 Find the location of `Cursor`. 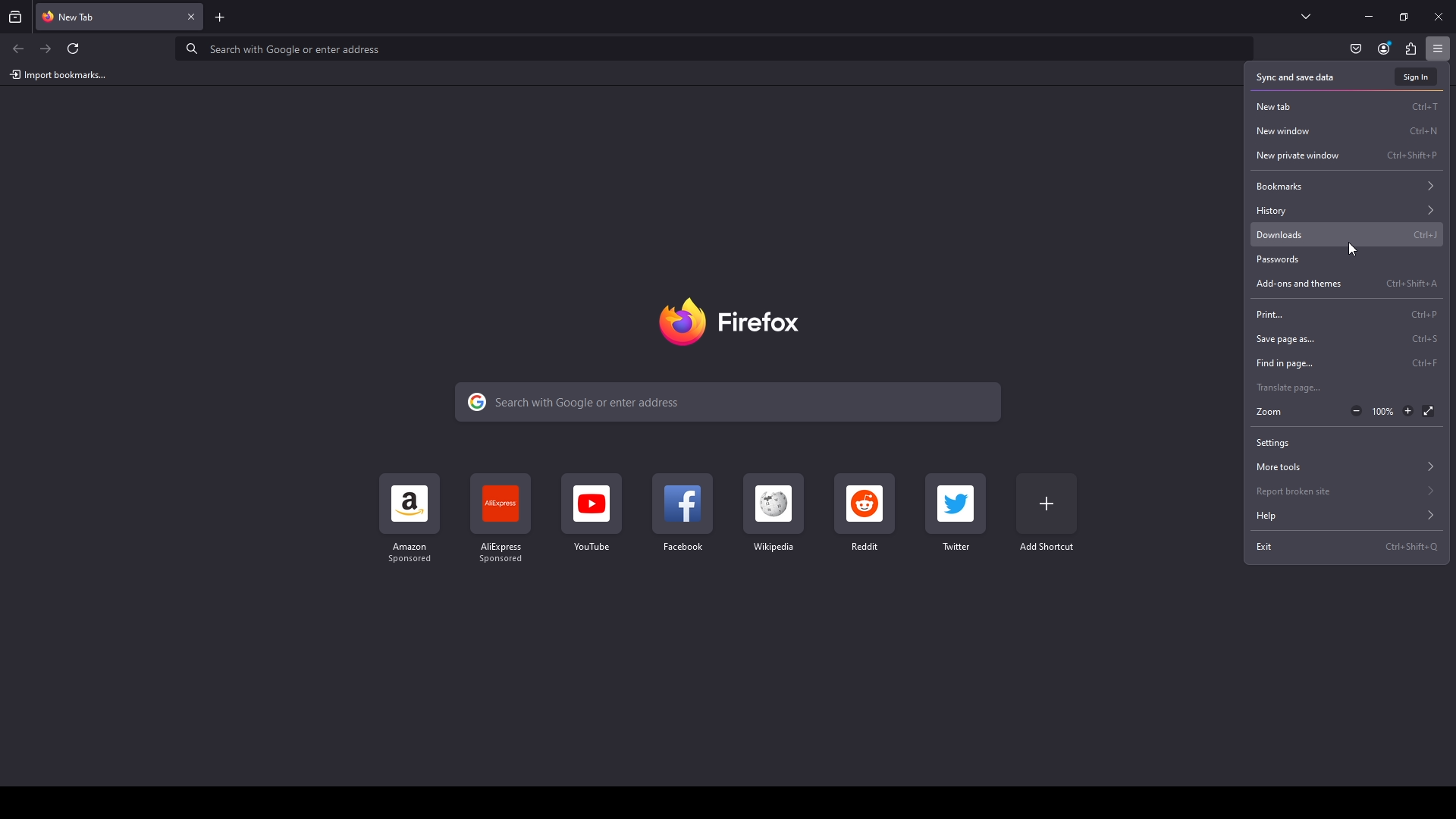

Cursor is located at coordinates (1353, 248).